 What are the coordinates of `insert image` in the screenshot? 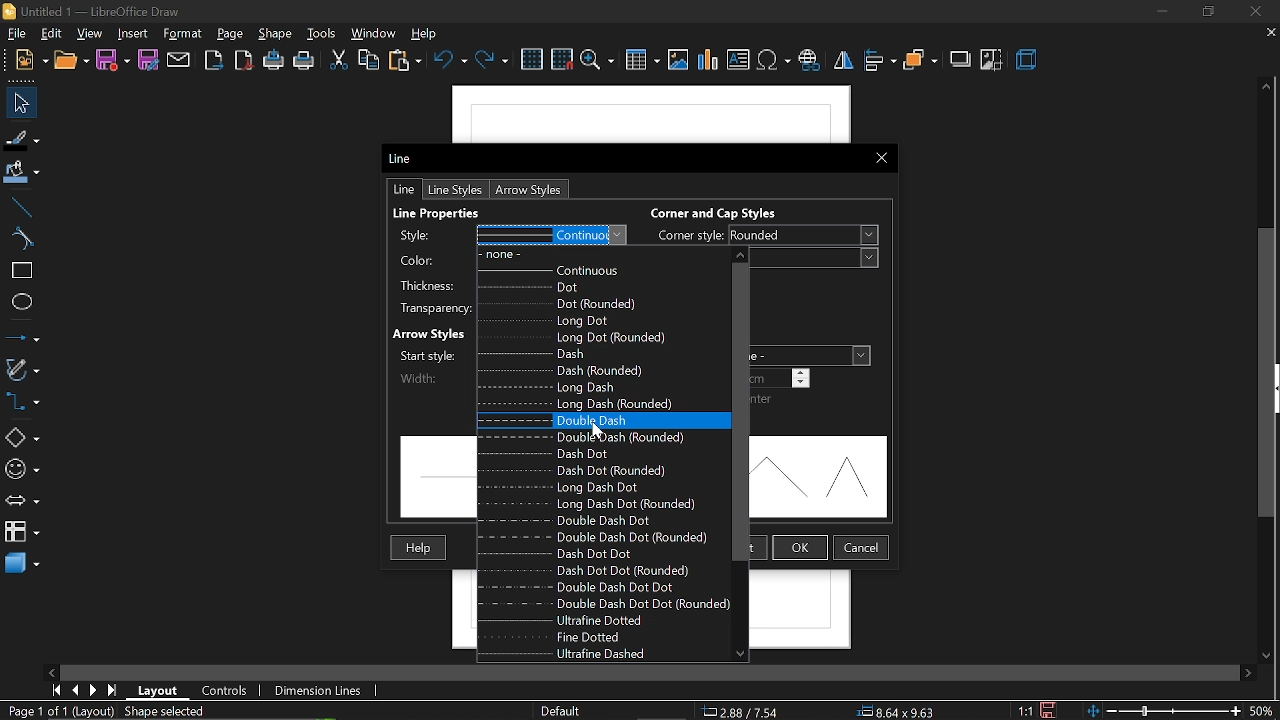 It's located at (679, 61).